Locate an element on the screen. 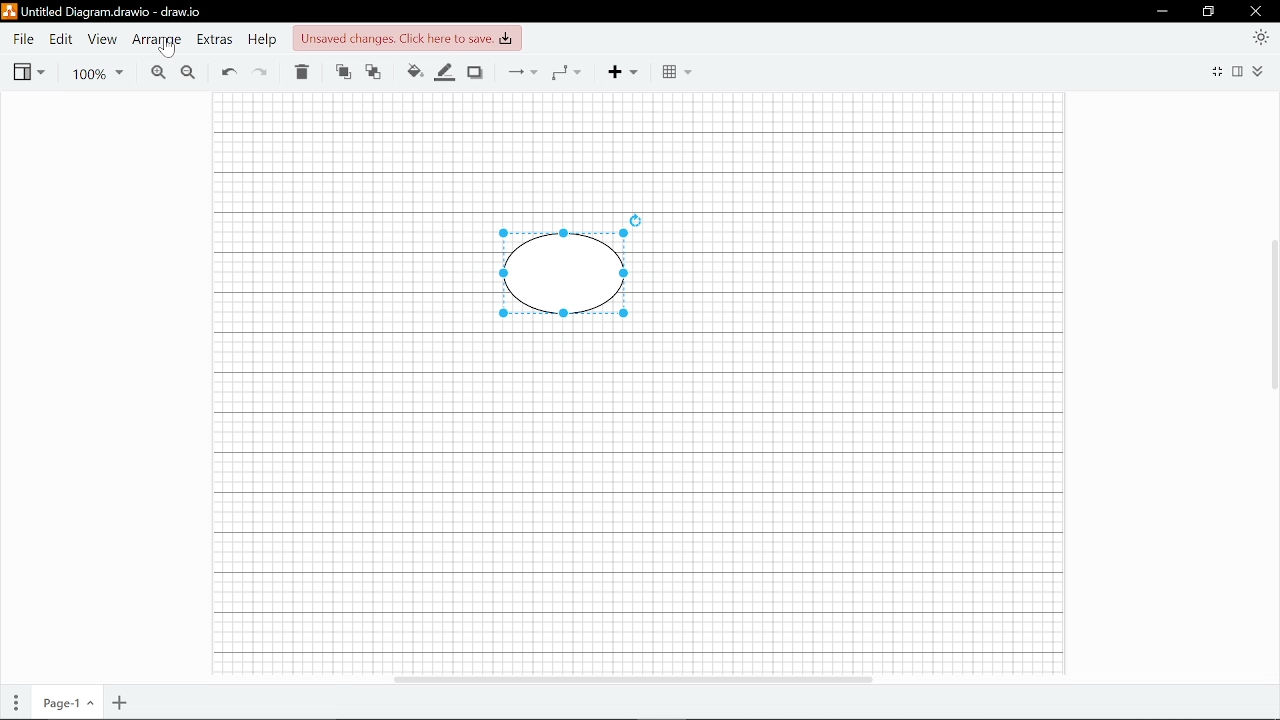 The image size is (1280, 720). Fullscreen is located at coordinates (1219, 70).